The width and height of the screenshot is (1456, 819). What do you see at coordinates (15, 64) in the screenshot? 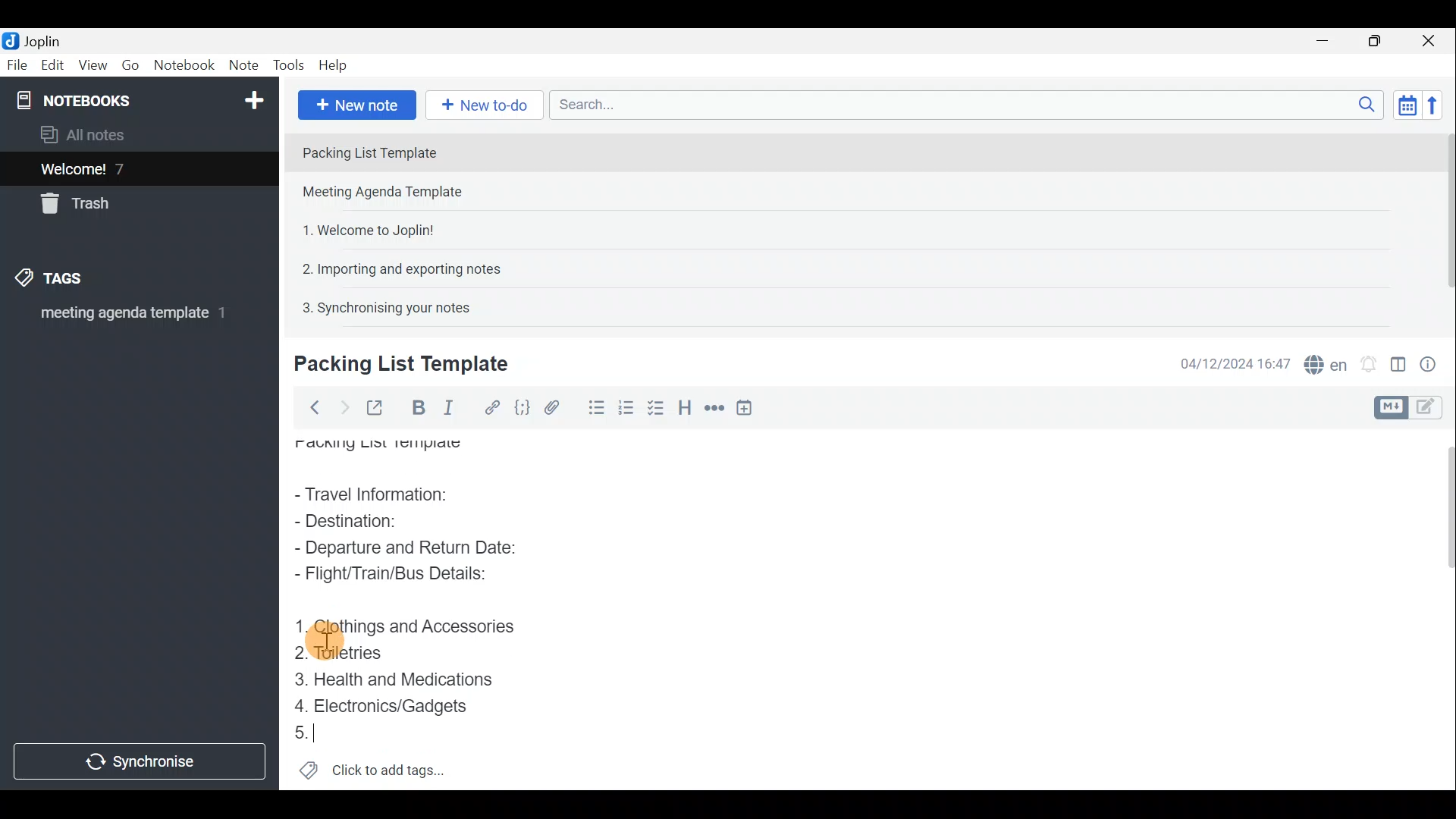
I see `File` at bounding box center [15, 64].